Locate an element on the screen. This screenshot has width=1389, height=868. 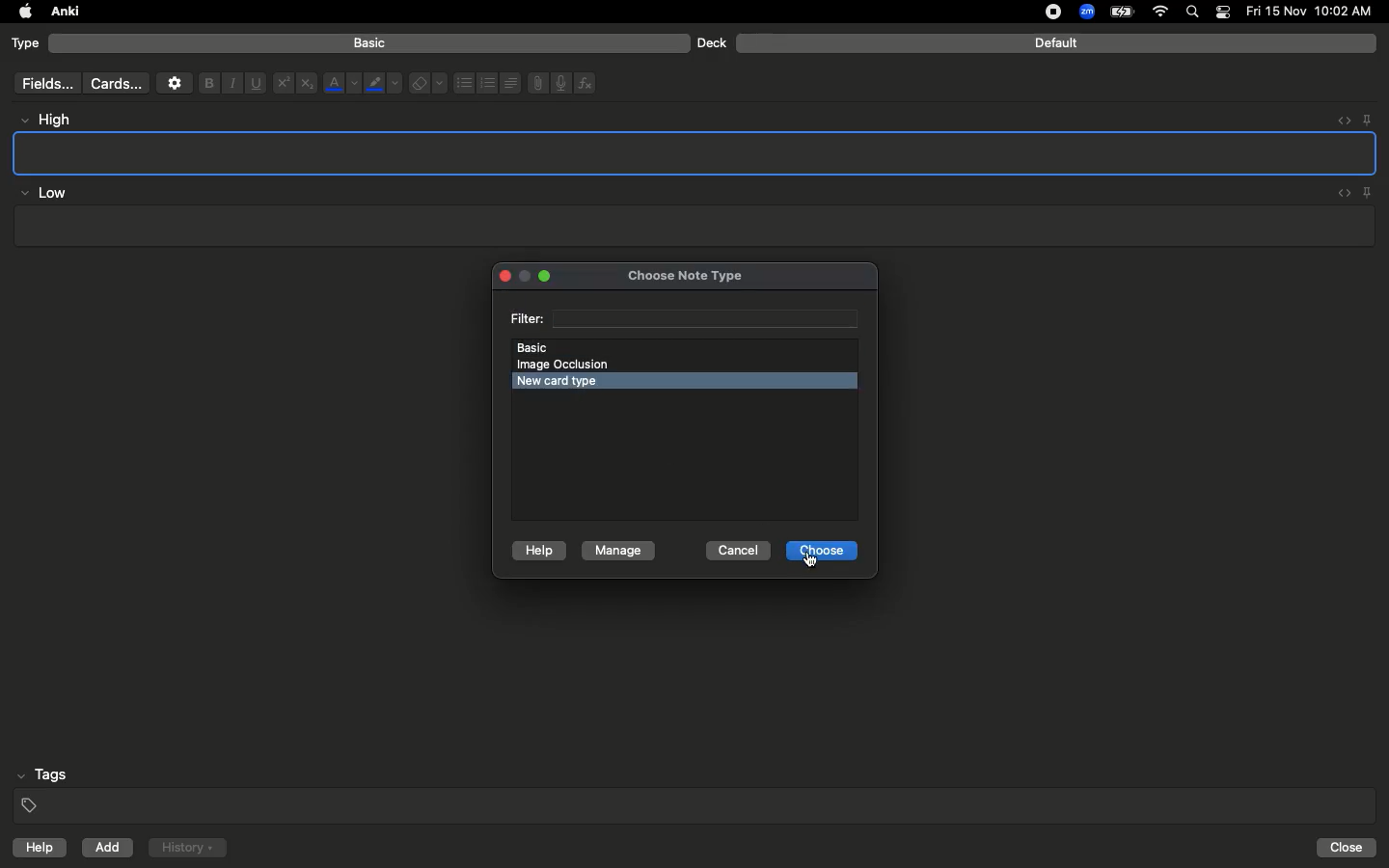
Bold is located at coordinates (207, 82).